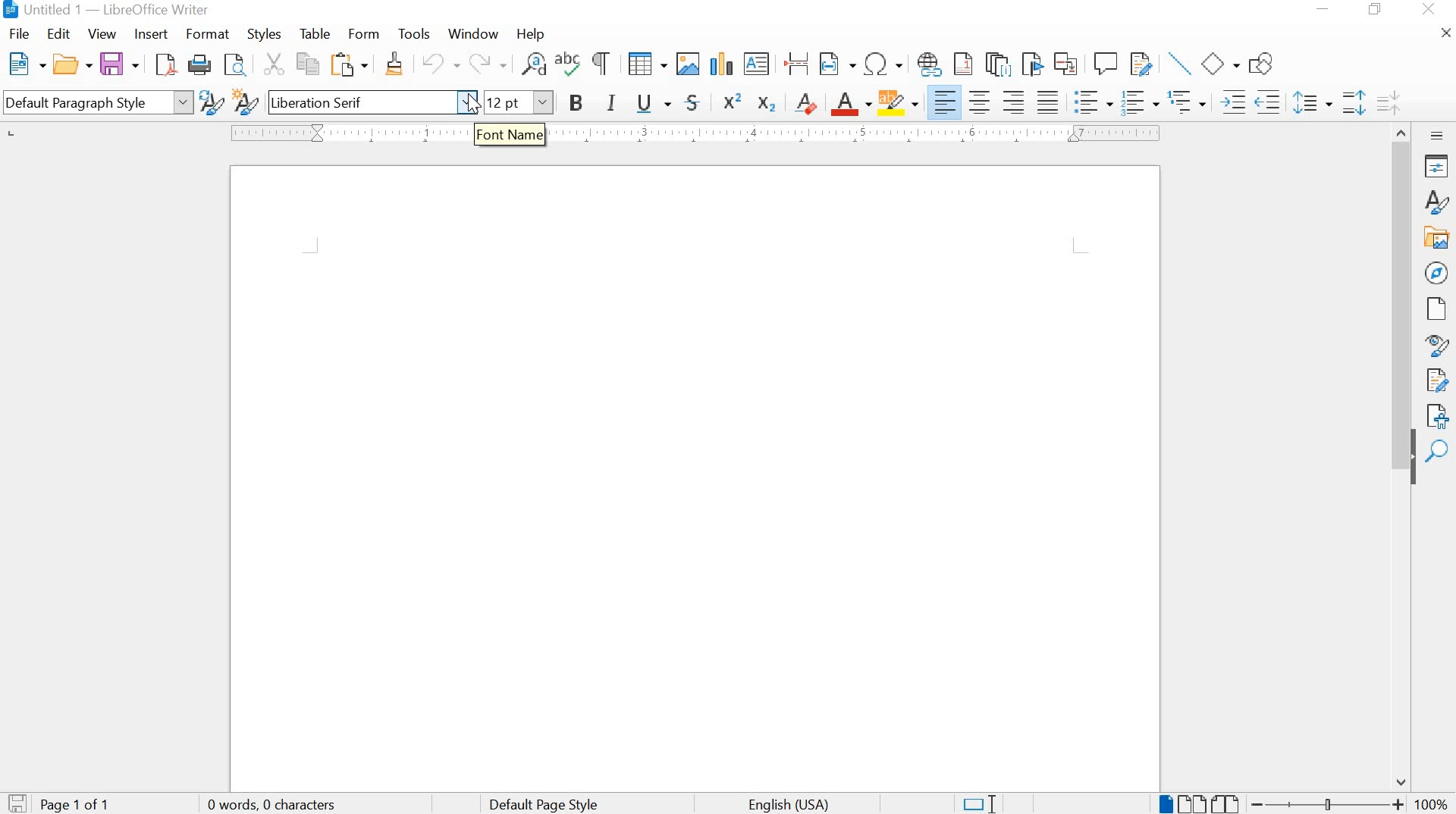 The height and width of the screenshot is (814, 1456). I want to click on cursor, so click(475, 111).